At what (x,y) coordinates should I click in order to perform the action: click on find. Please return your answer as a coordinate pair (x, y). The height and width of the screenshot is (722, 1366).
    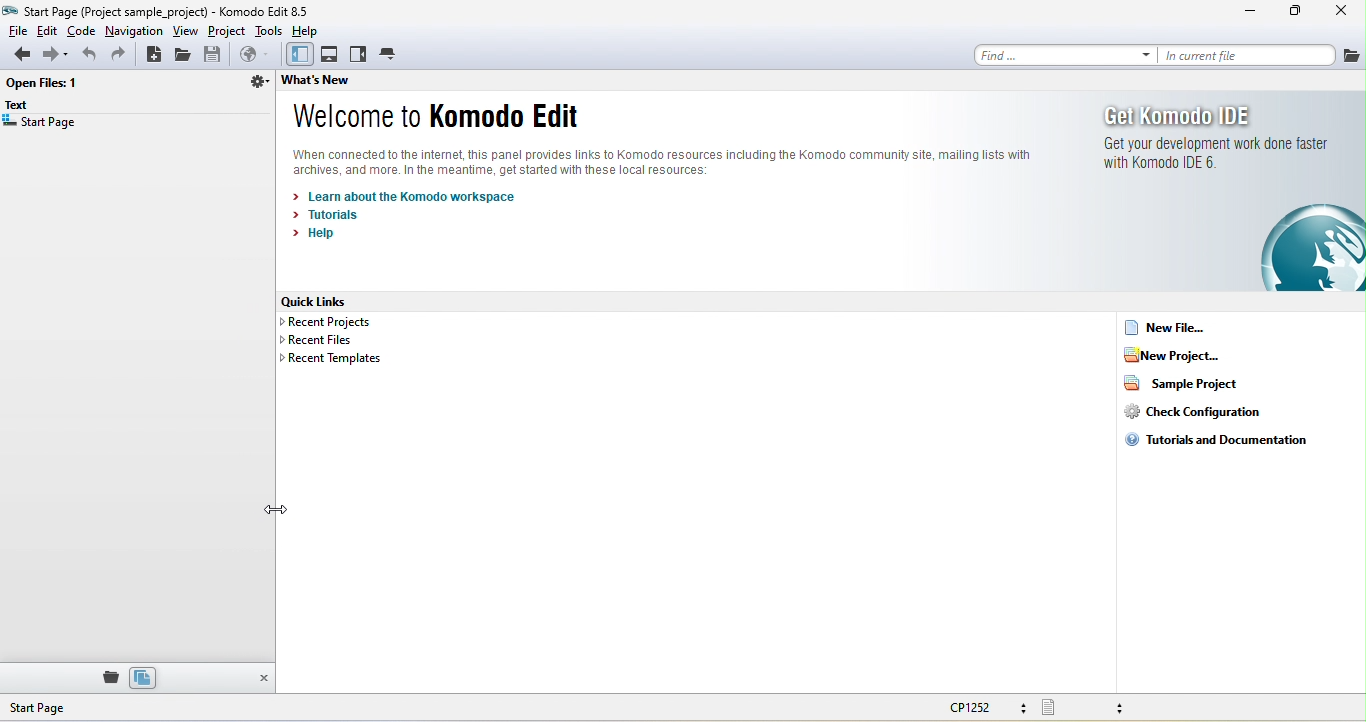
    Looking at the image, I should click on (1059, 54).